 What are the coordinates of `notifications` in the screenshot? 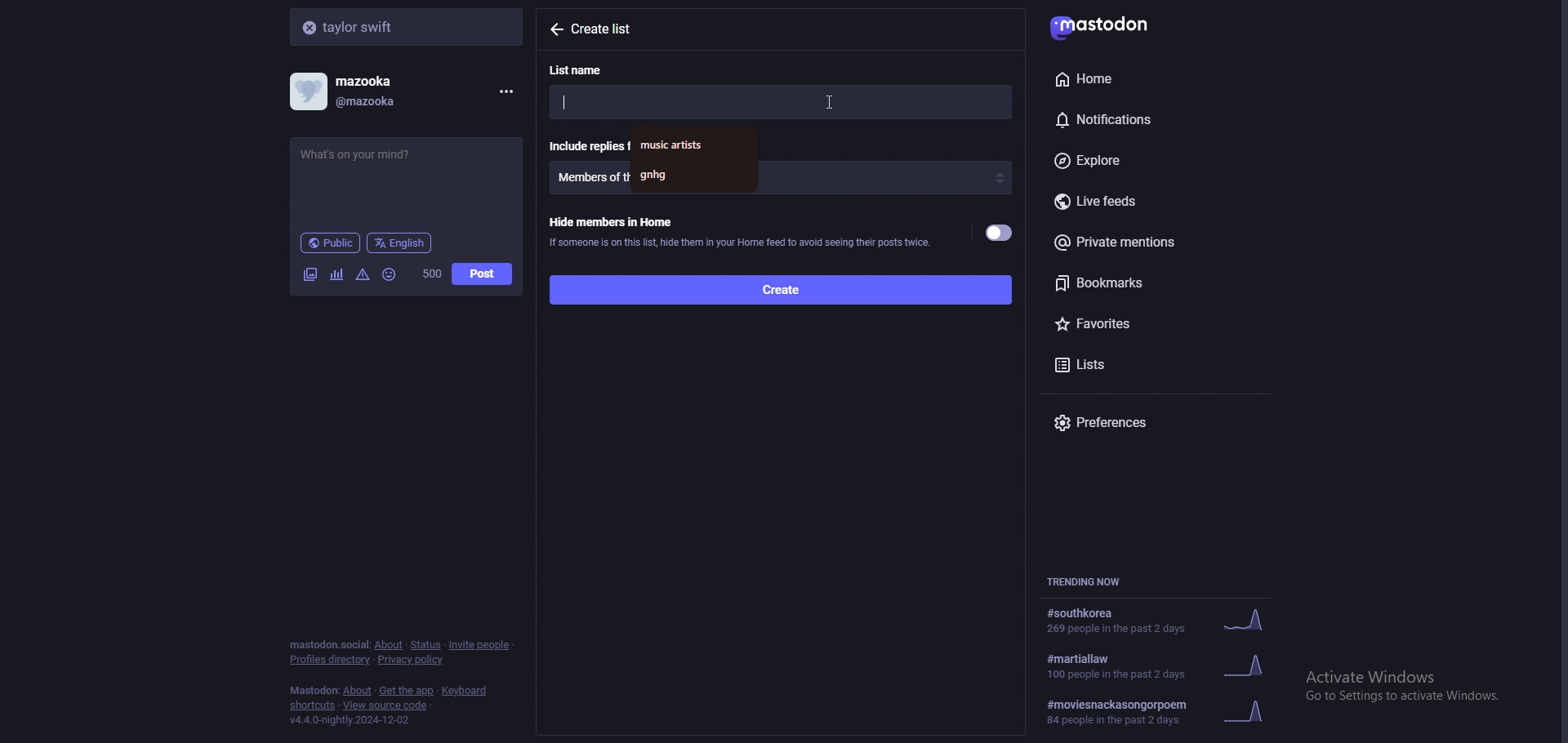 It's located at (1138, 117).